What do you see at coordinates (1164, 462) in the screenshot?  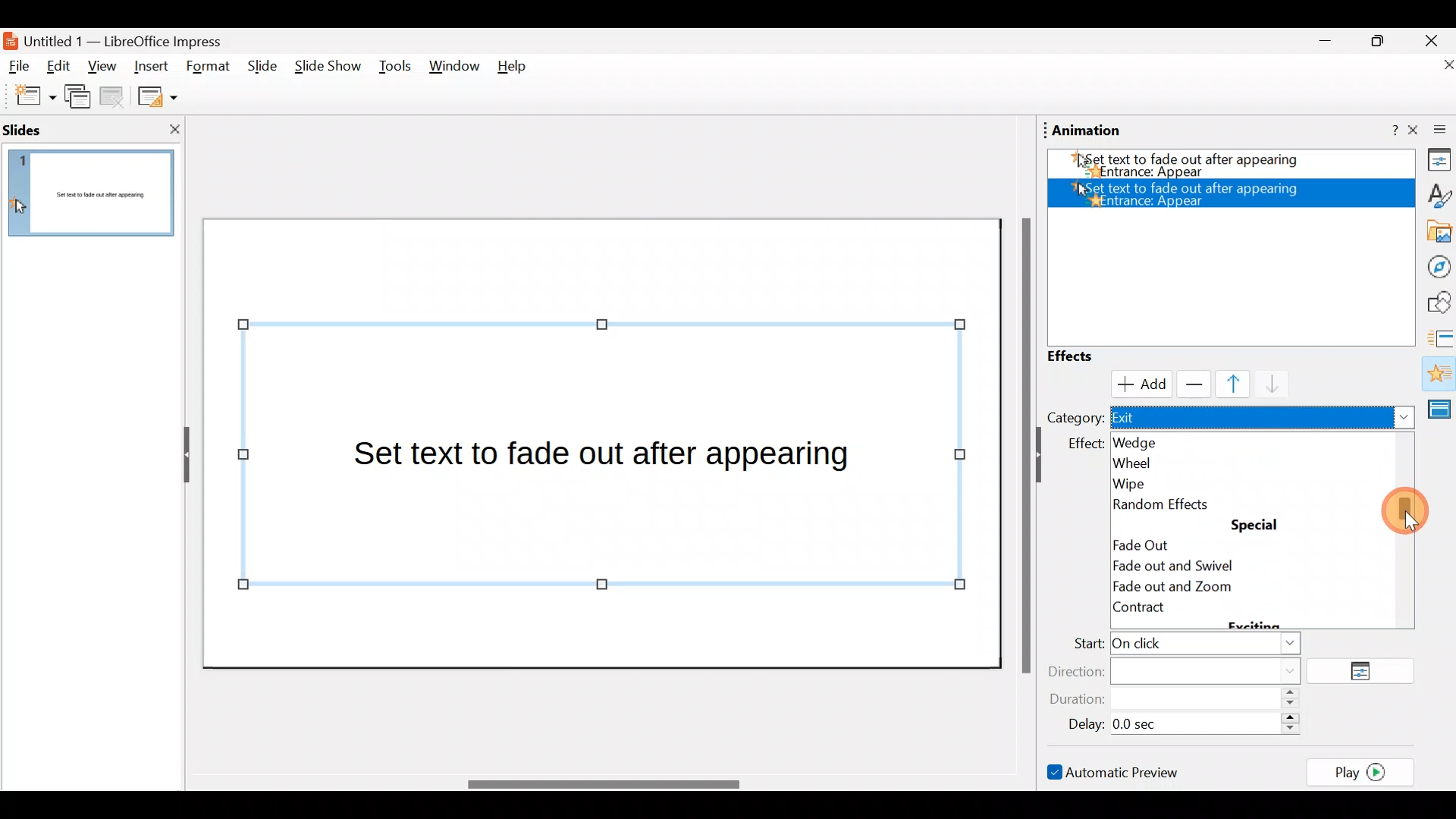 I see `Wheel` at bounding box center [1164, 462].